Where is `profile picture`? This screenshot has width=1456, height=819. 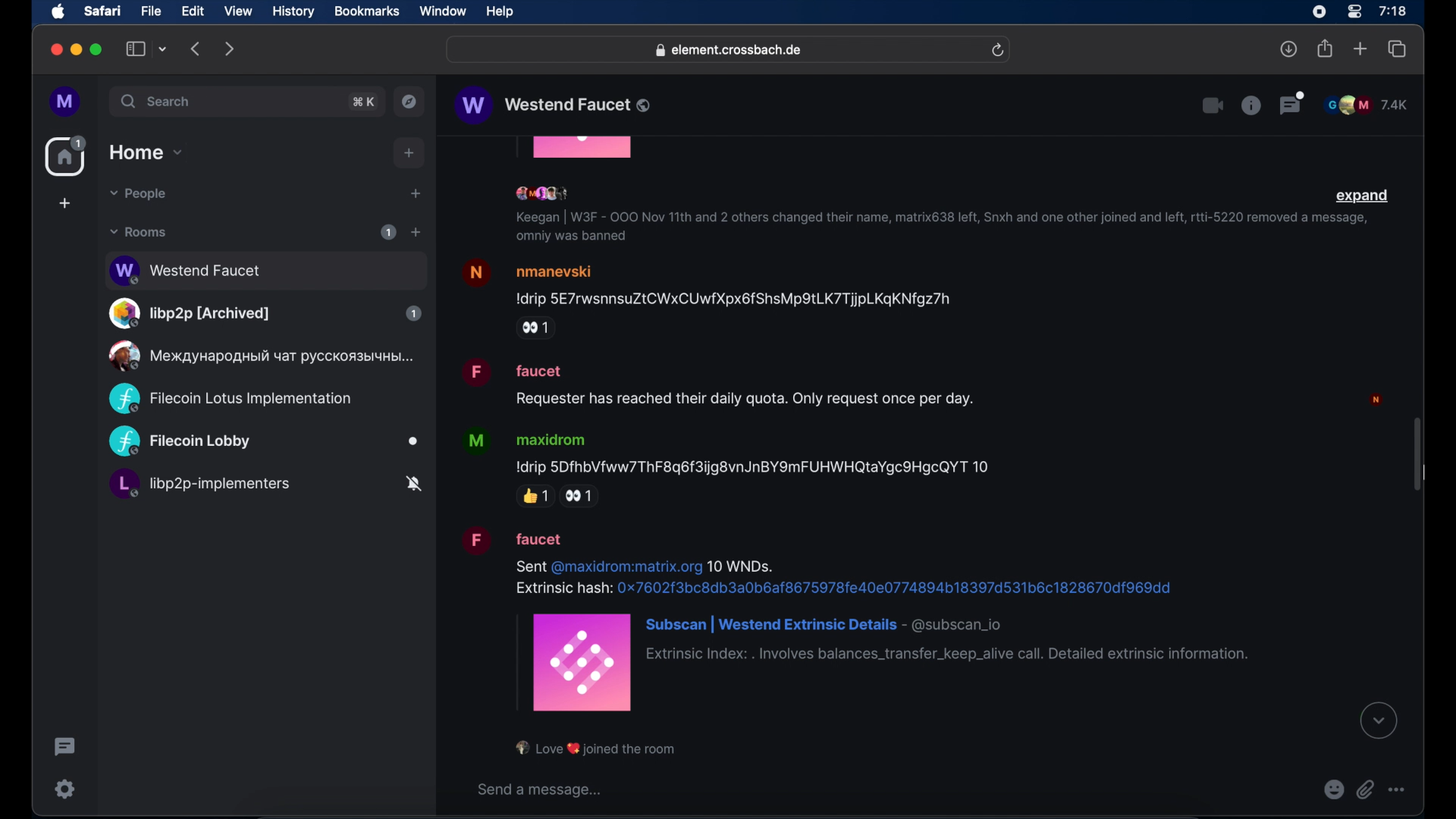 profile picture is located at coordinates (1379, 399).